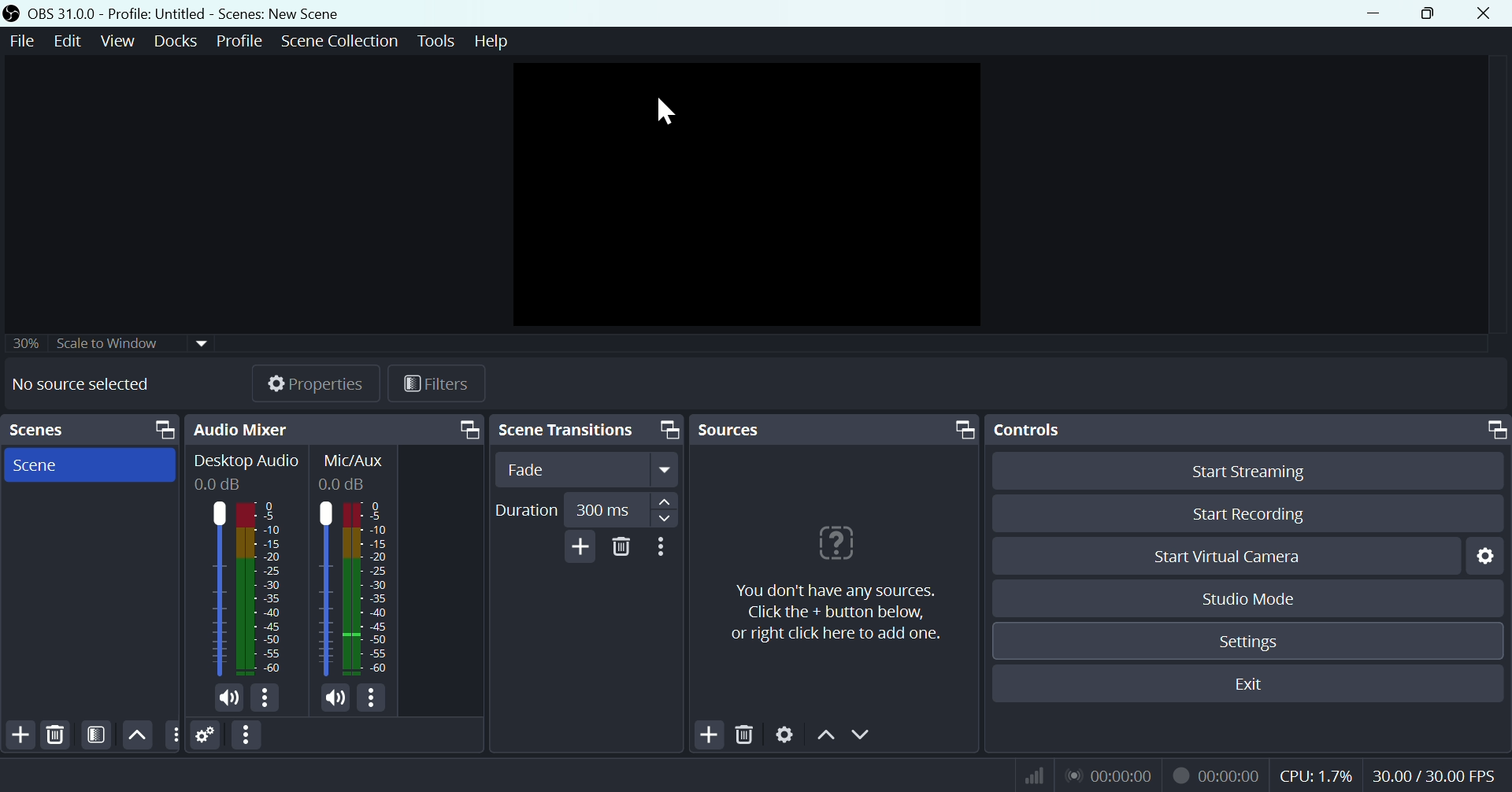 Image resolution: width=1512 pixels, height=792 pixels. What do you see at coordinates (746, 736) in the screenshot?
I see `Delete` at bounding box center [746, 736].